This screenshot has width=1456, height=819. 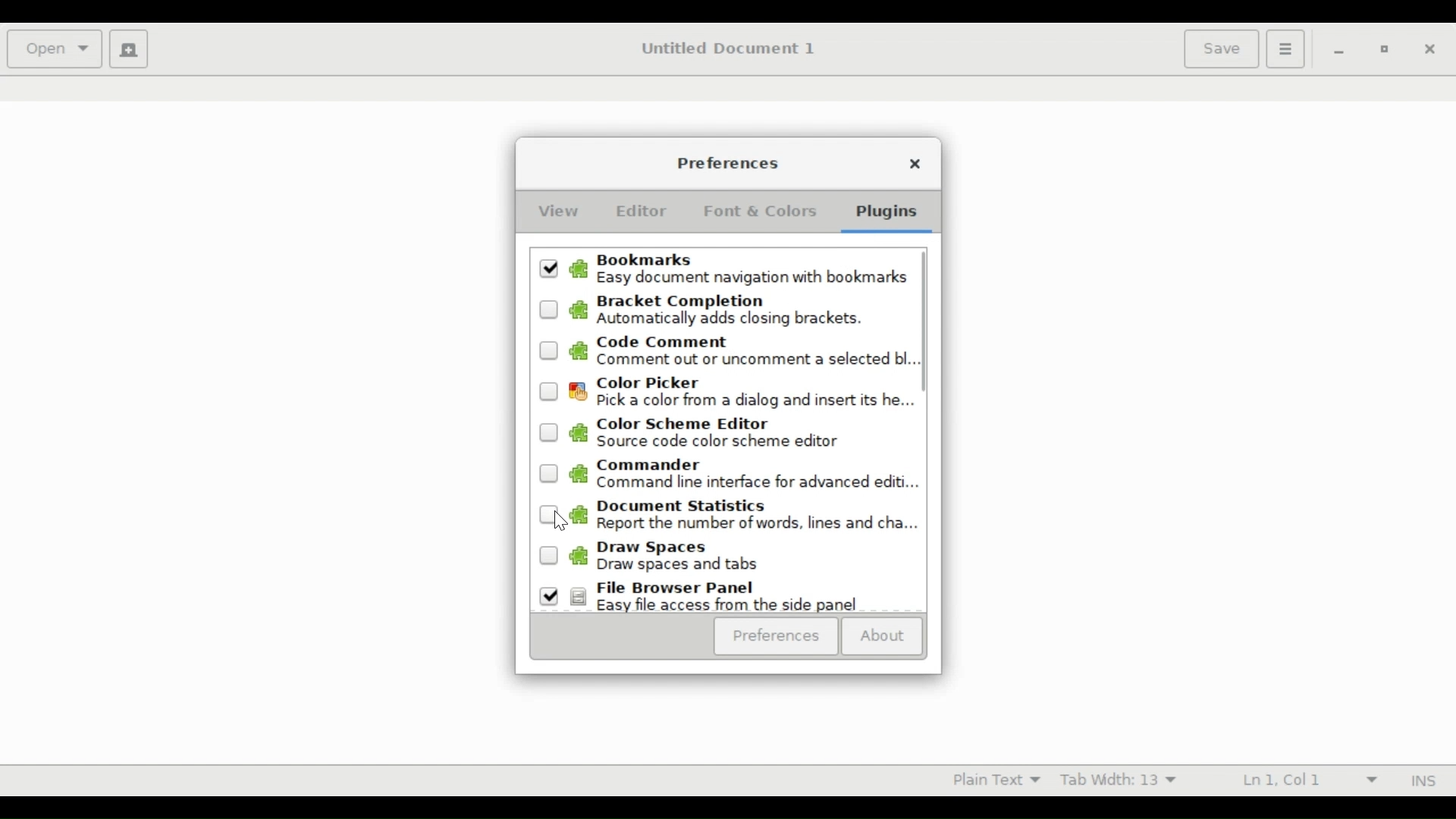 What do you see at coordinates (549, 352) in the screenshot?
I see `Unselected` at bounding box center [549, 352].